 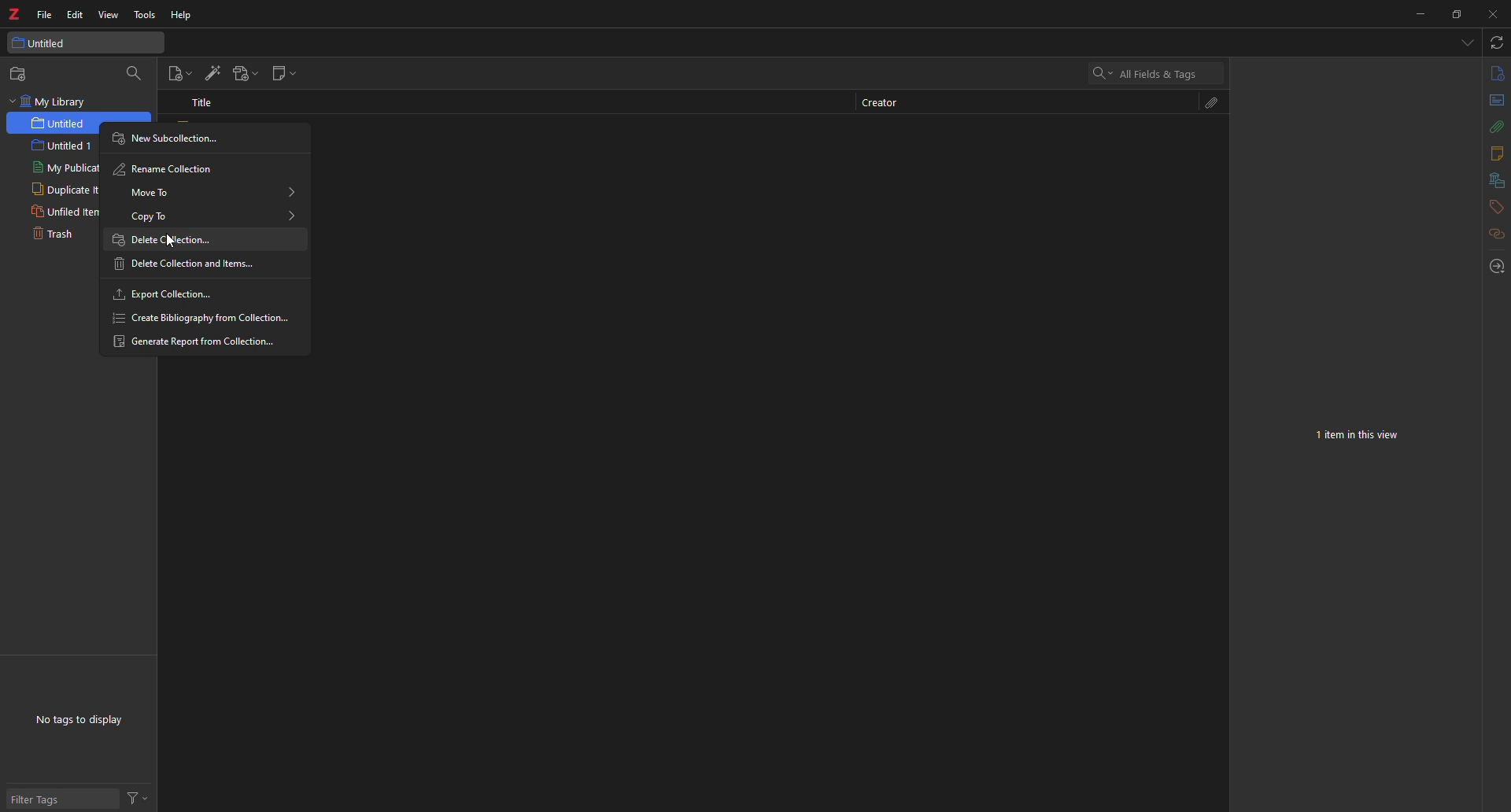 I want to click on view, so click(x=109, y=15).